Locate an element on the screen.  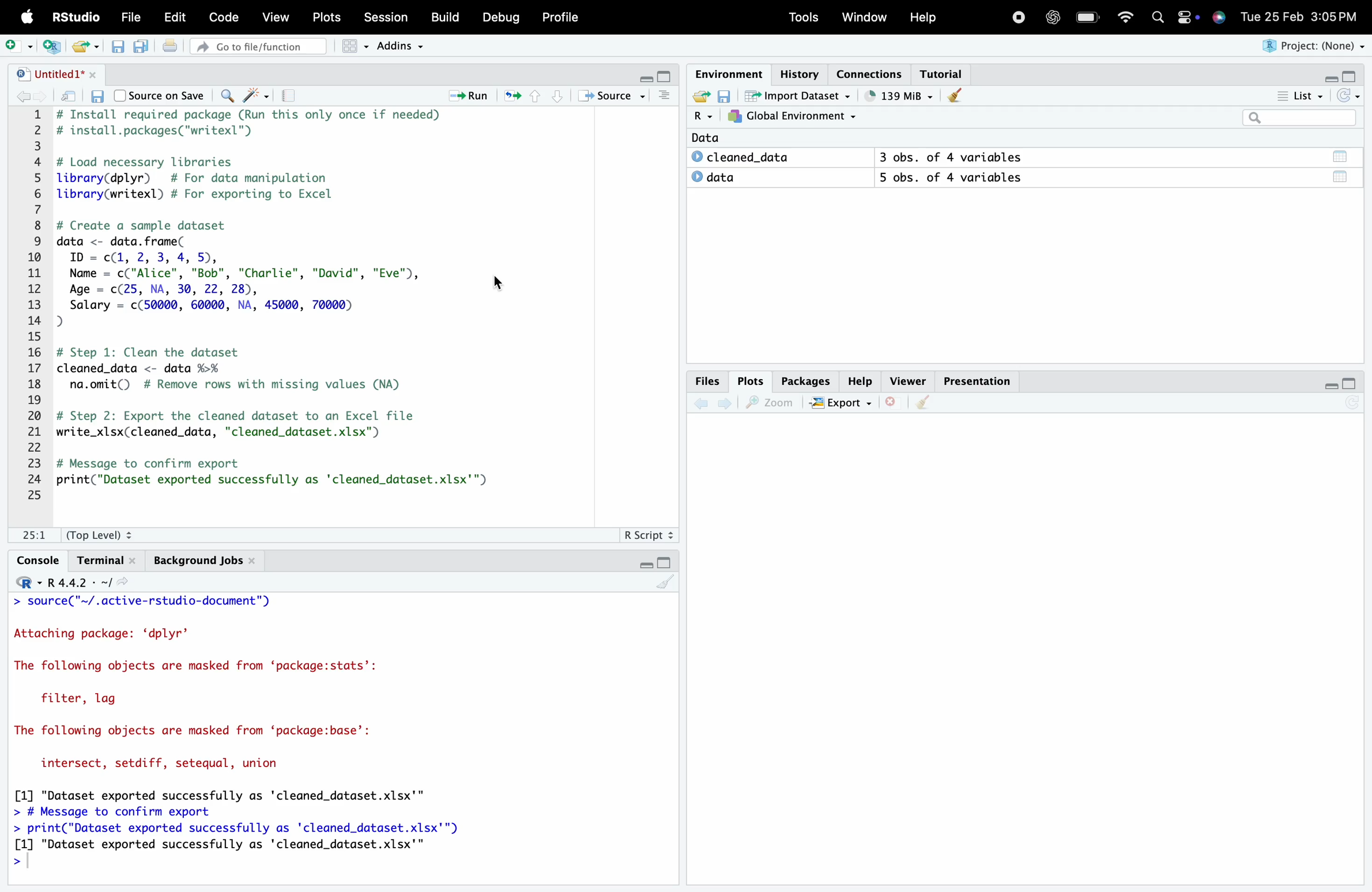
Save current document (Ctrl + S) is located at coordinates (118, 48).